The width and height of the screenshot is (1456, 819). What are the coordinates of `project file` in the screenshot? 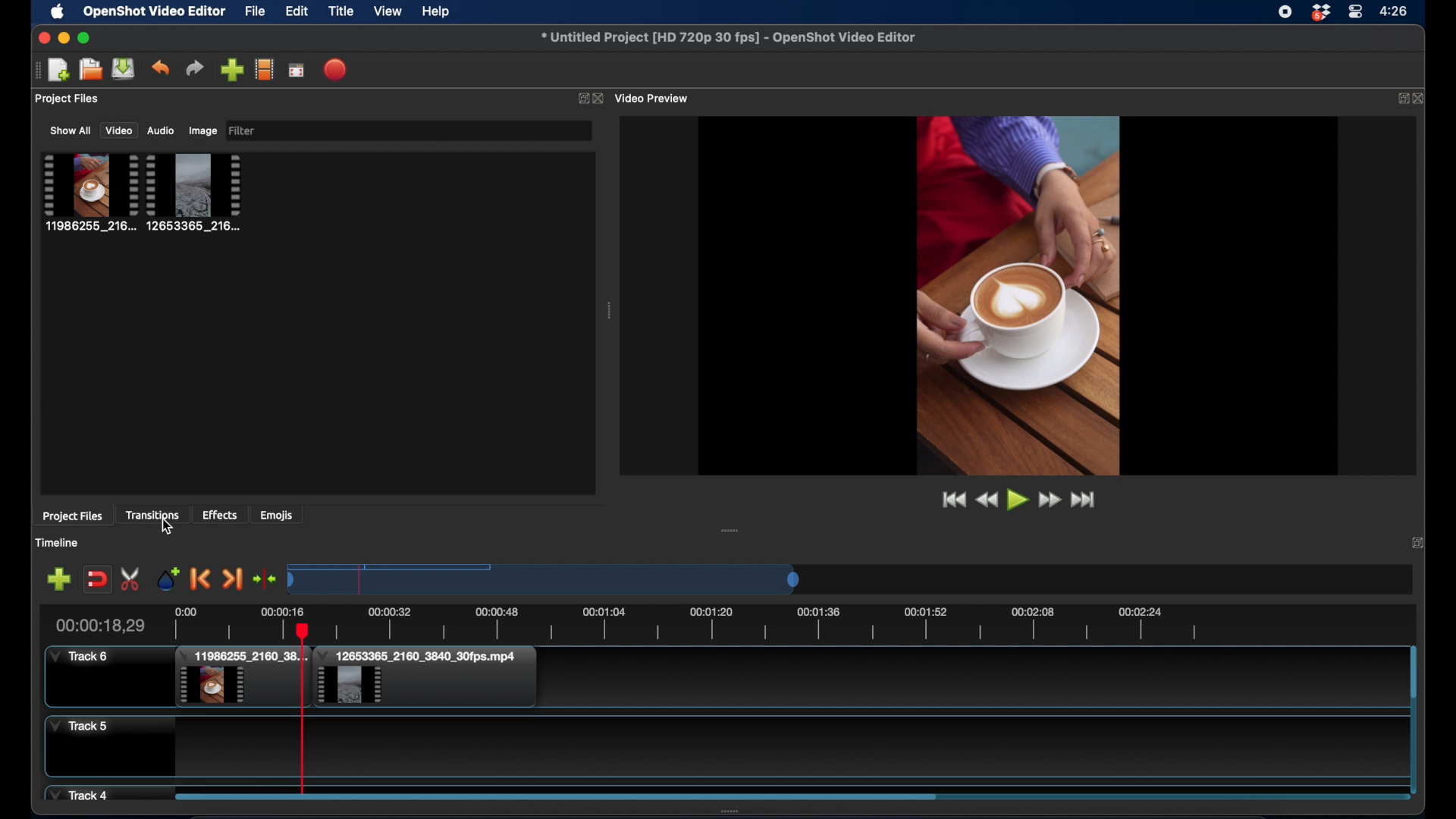 It's located at (195, 192).